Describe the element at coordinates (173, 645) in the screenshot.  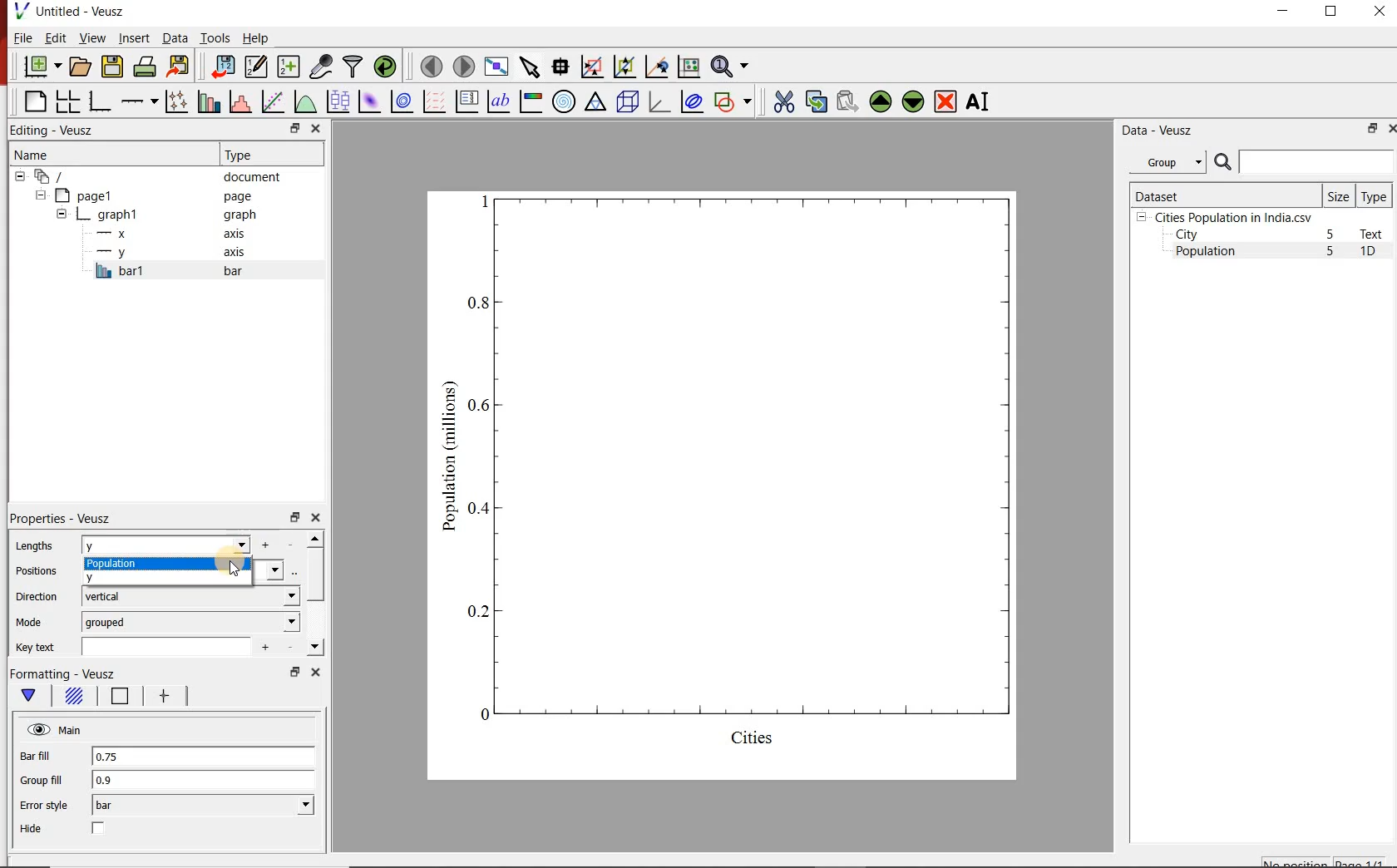
I see `input field` at that location.